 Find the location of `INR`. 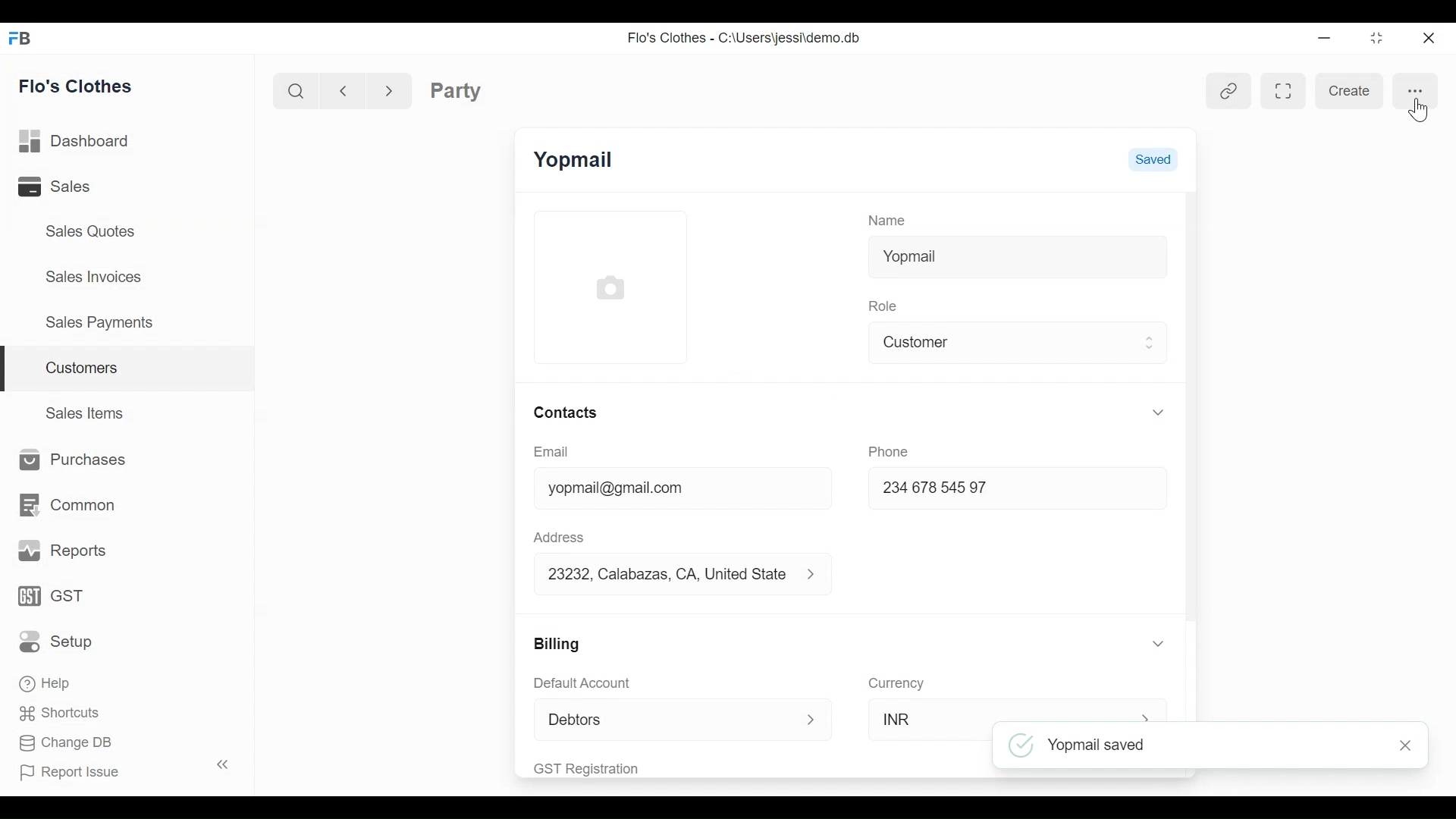

INR is located at coordinates (921, 720).